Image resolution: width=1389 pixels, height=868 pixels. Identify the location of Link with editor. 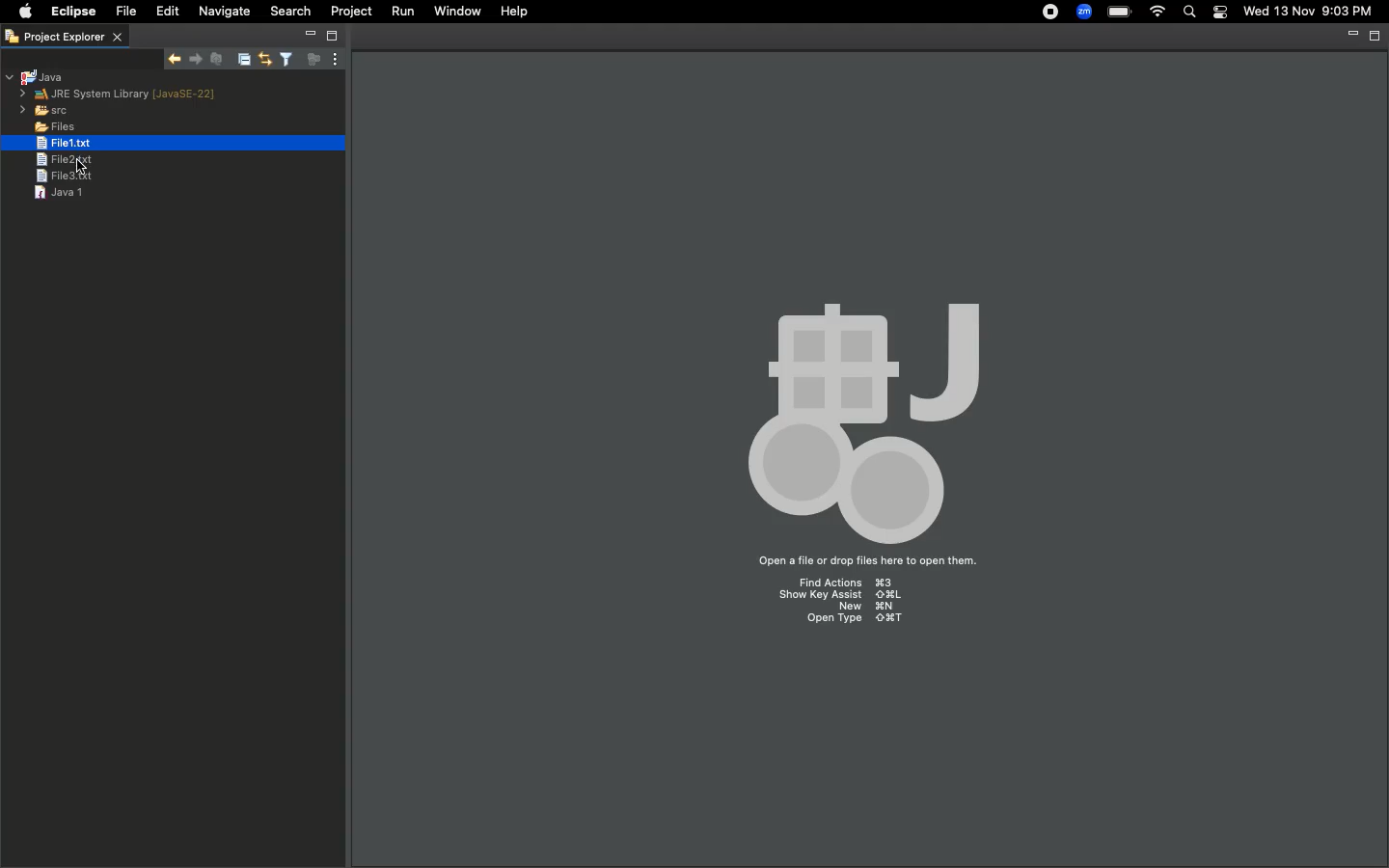
(263, 60).